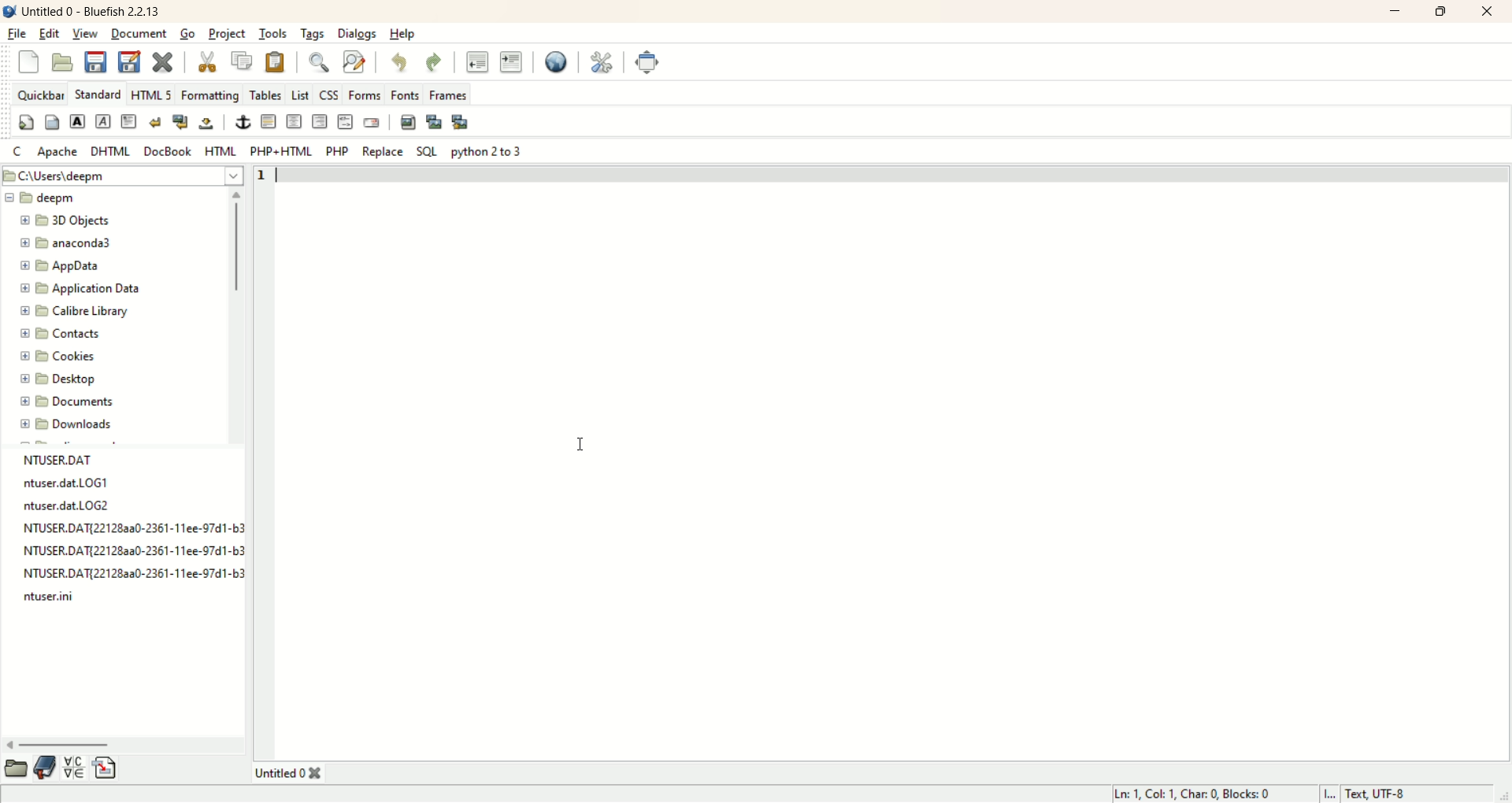 The image size is (1512, 803). Describe the element at coordinates (19, 35) in the screenshot. I see `file` at that location.